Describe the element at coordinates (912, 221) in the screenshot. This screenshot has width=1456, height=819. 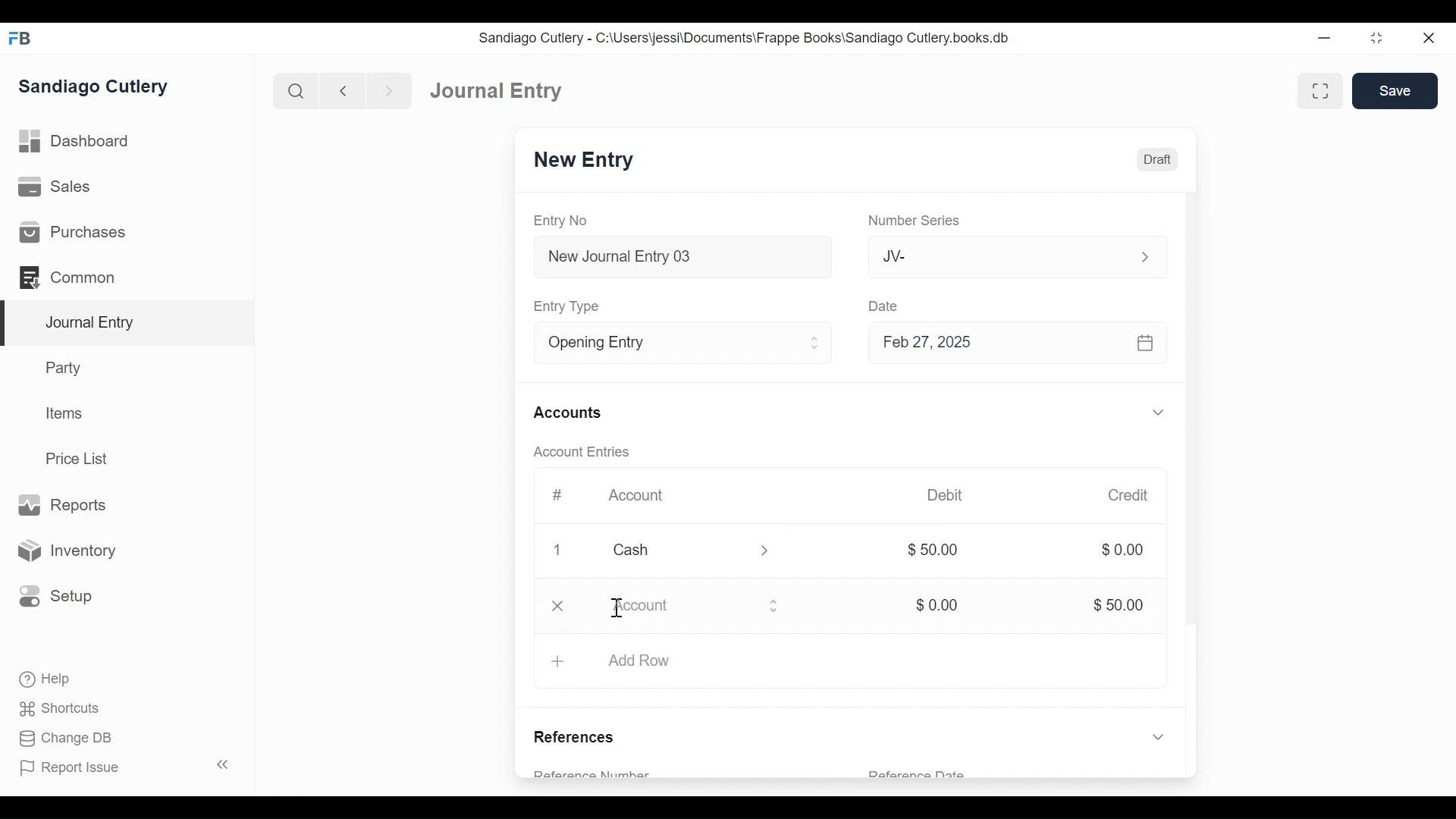
I see `Number Series` at that location.